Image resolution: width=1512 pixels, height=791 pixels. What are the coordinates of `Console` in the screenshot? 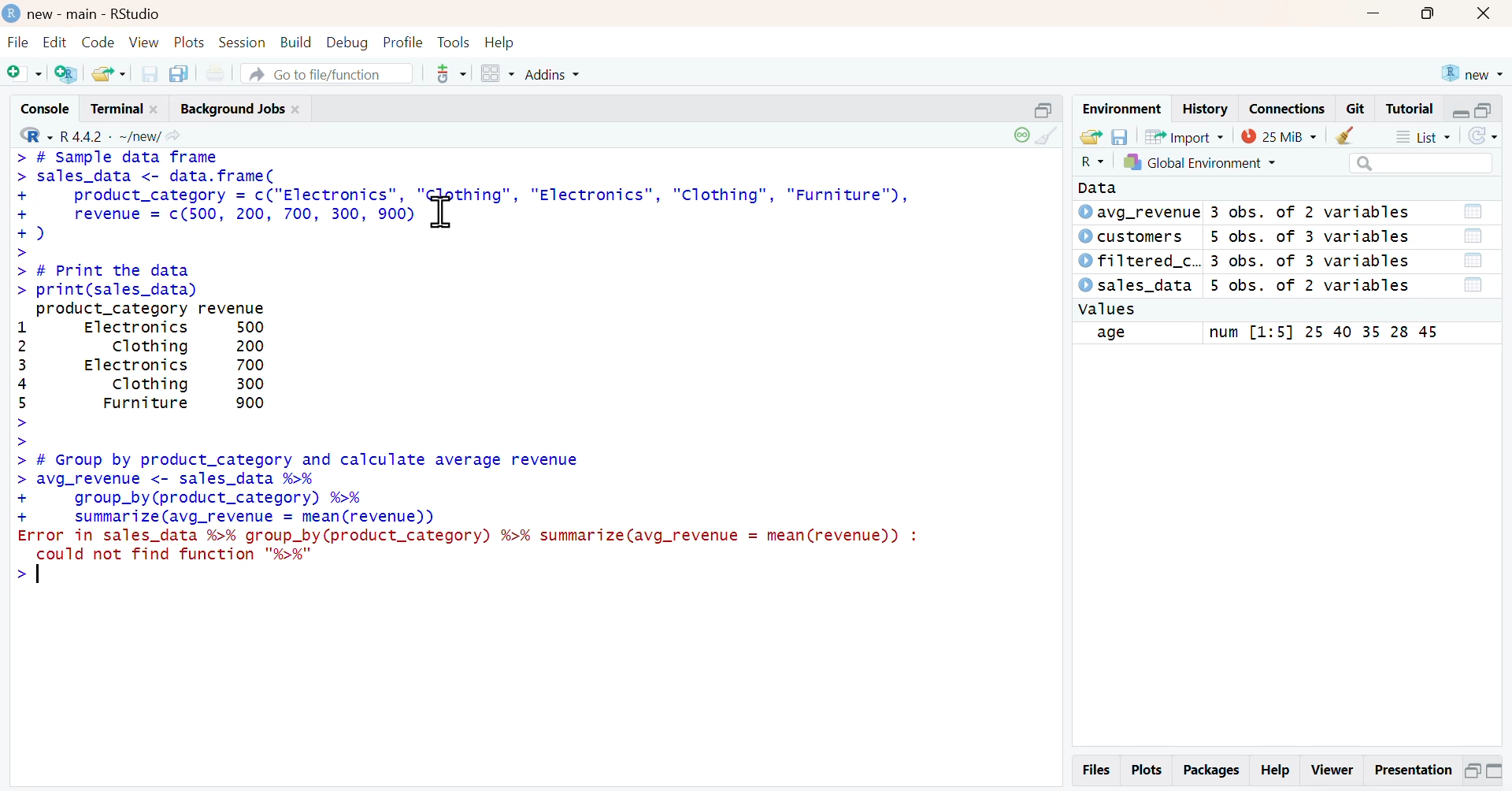 It's located at (46, 108).